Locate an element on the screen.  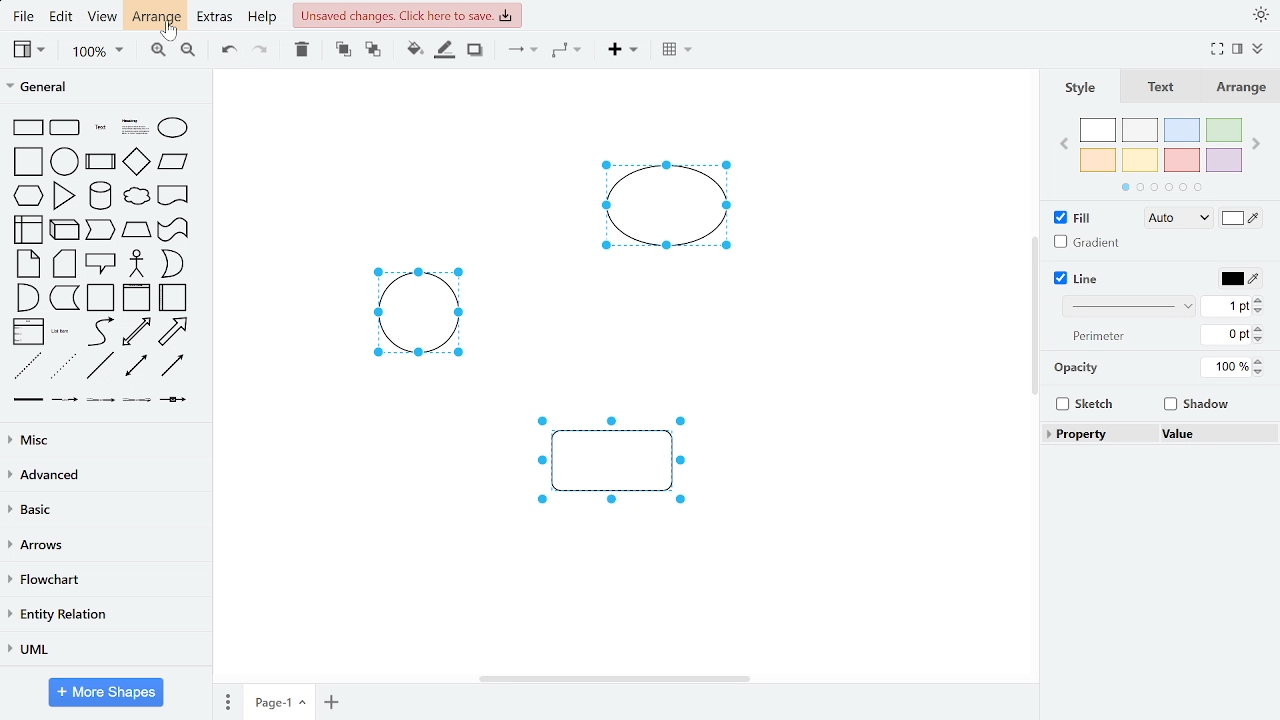
pages is located at coordinates (225, 702).